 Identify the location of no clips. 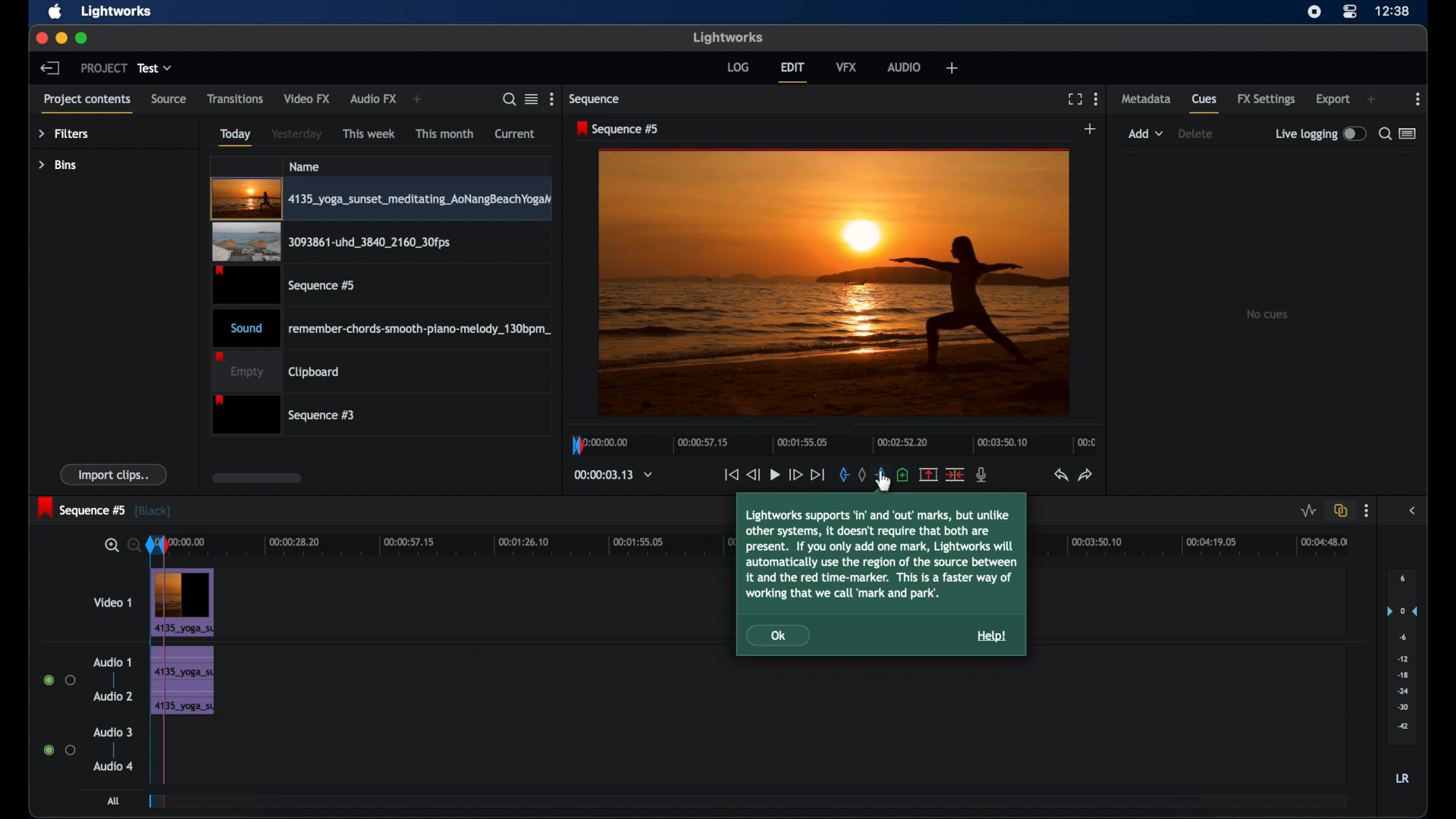
(1268, 313).